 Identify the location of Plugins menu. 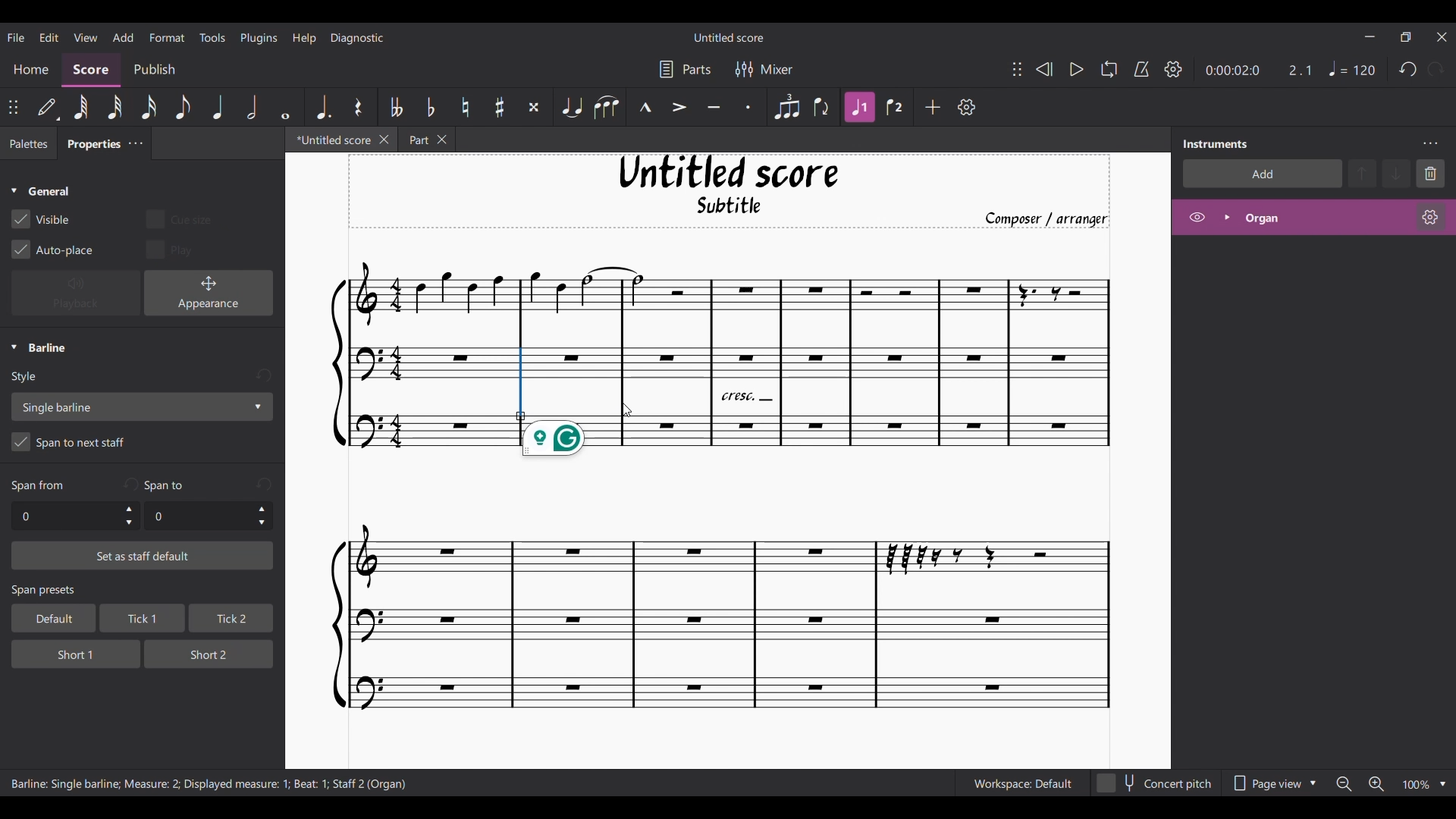
(259, 37).